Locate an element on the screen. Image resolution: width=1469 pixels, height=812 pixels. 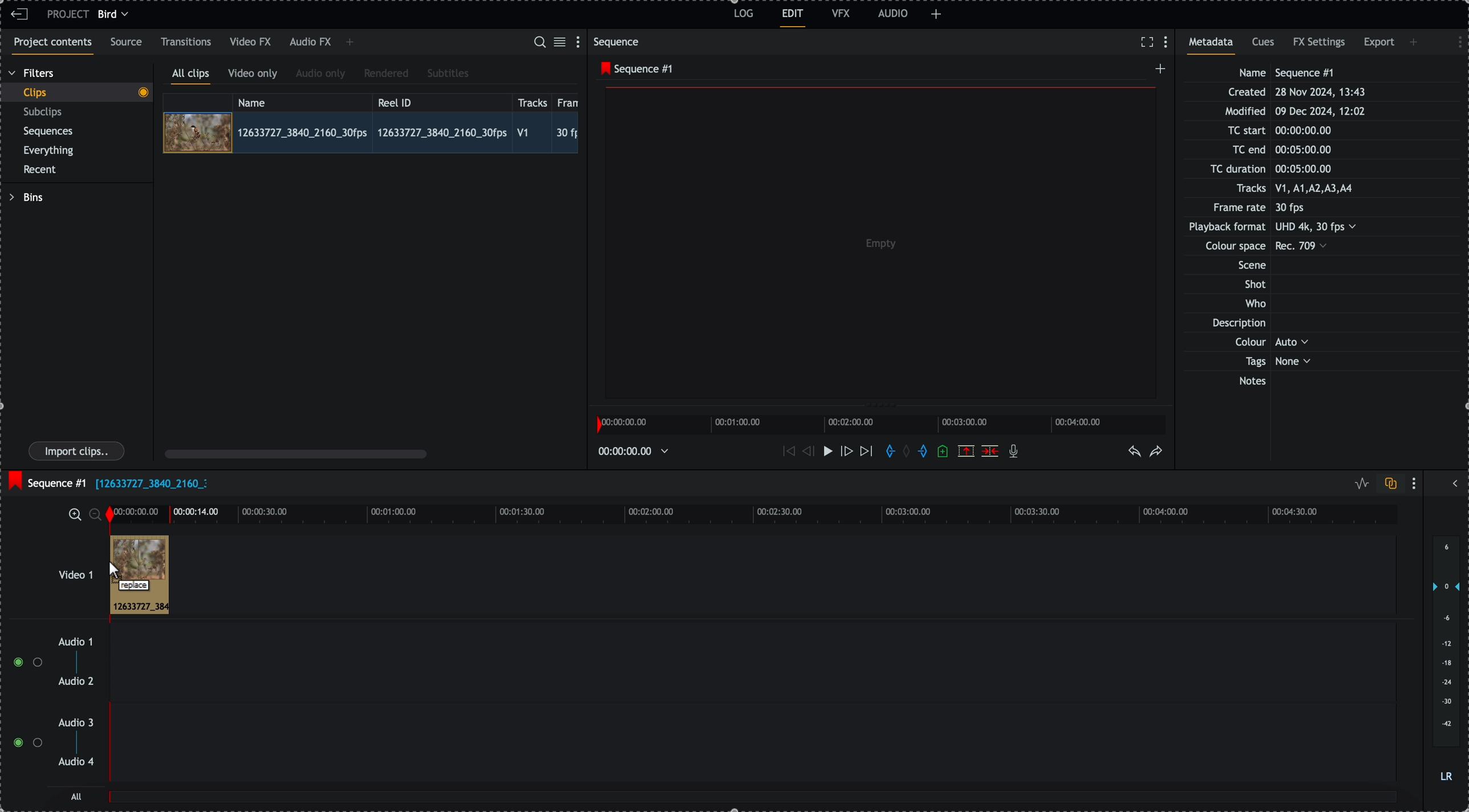
subclips is located at coordinates (45, 112).